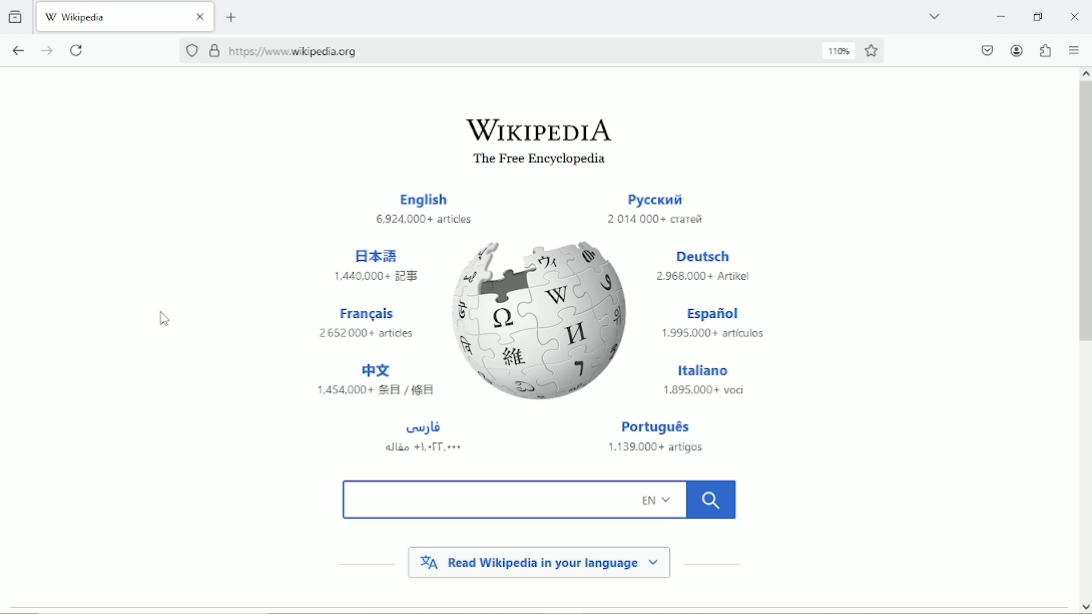 The height and width of the screenshot is (614, 1092). Describe the element at coordinates (190, 49) in the screenshot. I see `no trackers known to firefox were detected on this page` at that location.